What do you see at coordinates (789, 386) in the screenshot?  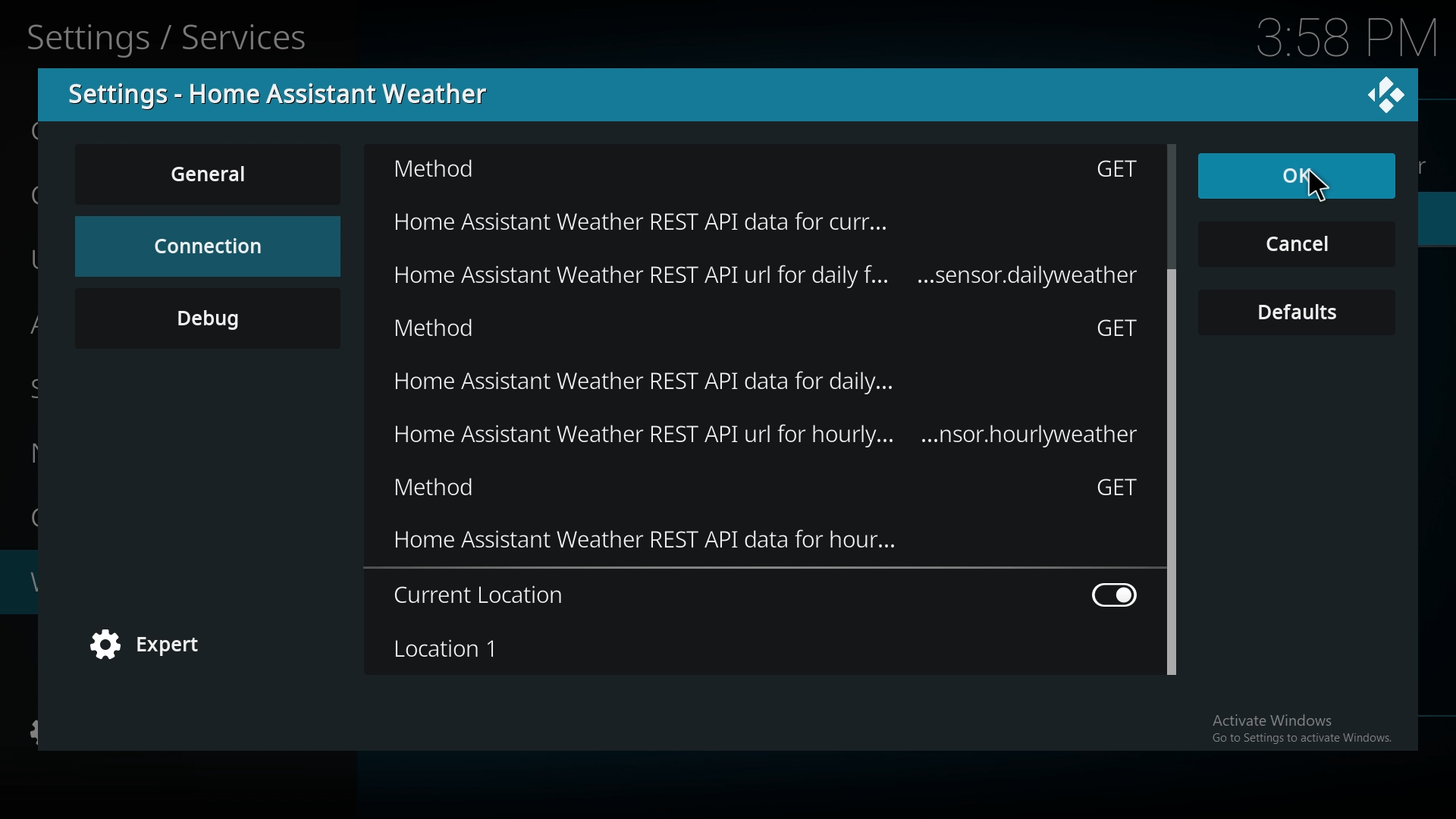 I see `Home assistant weather rest API data for daily` at bounding box center [789, 386].